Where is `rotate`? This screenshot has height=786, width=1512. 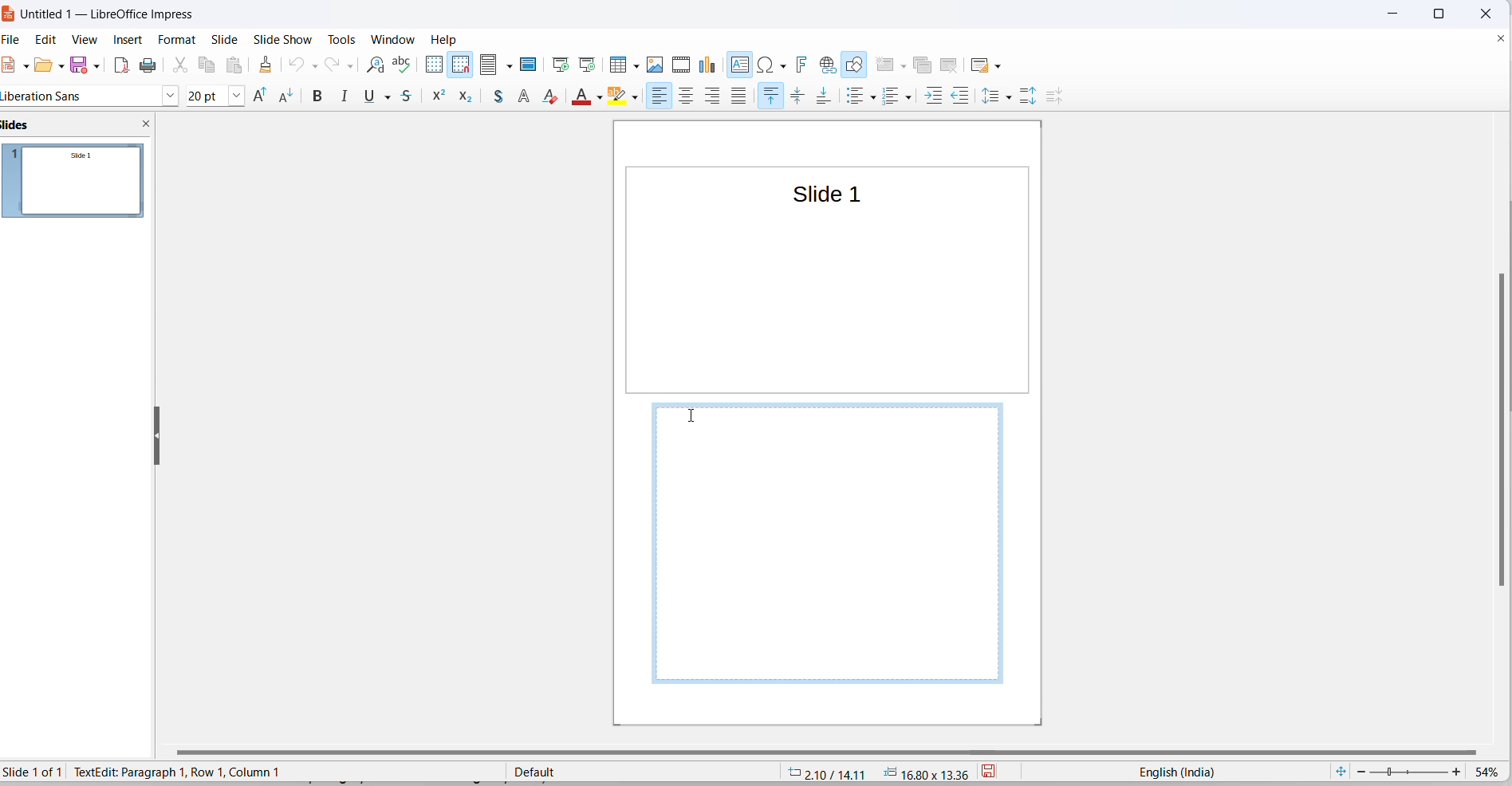 rotate is located at coordinates (598, 96).